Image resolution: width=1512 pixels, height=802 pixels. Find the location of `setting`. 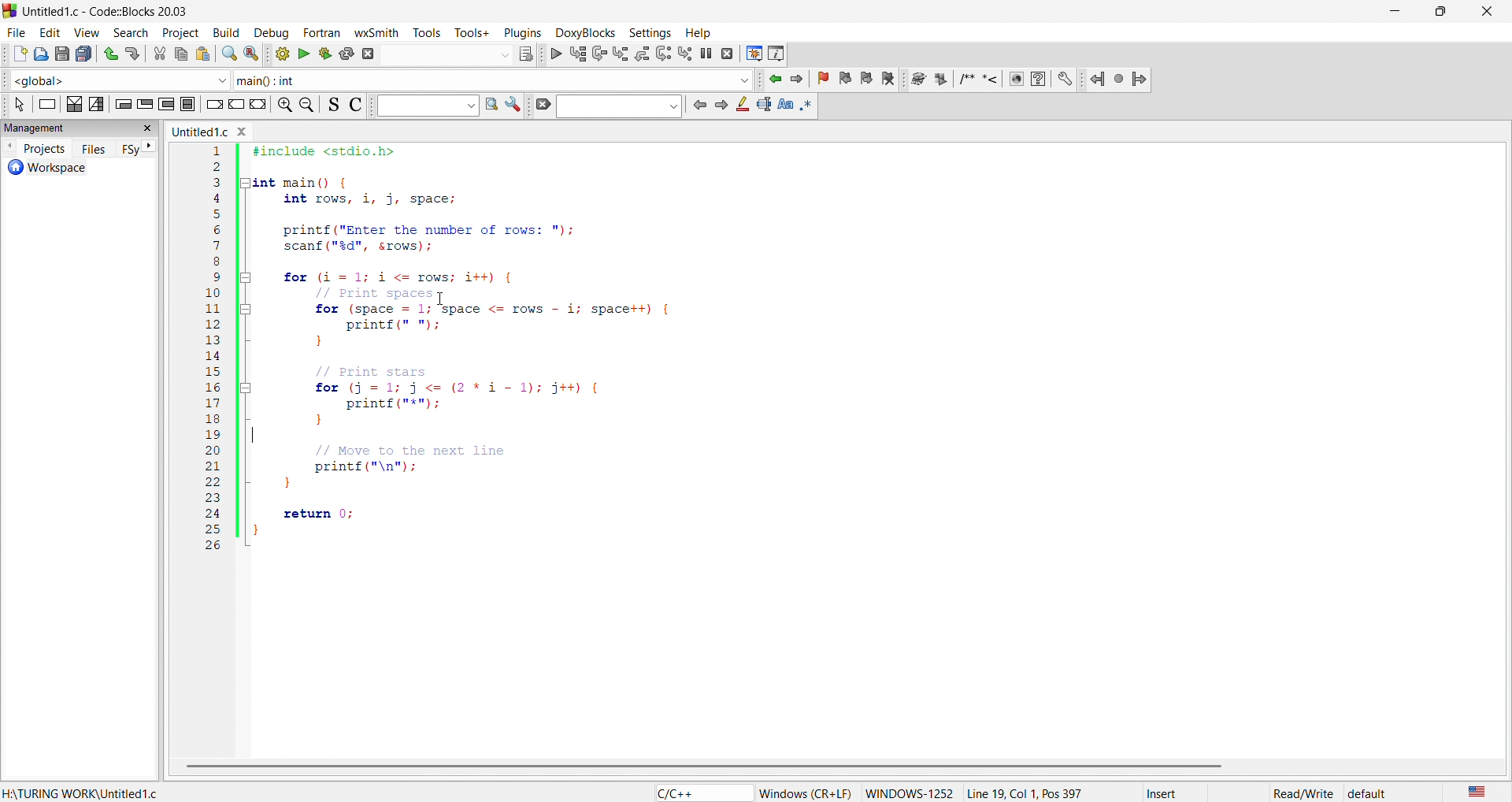

setting is located at coordinates (647, 32).